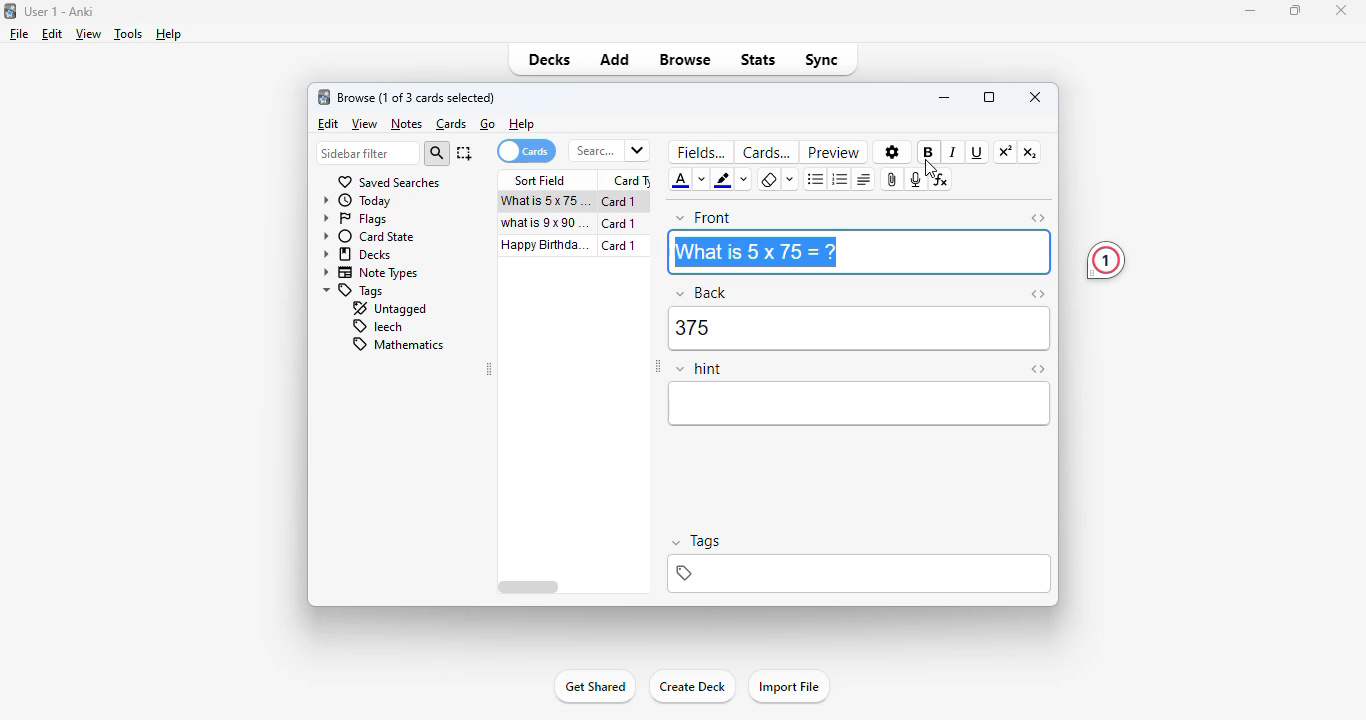  I want to click on record audio, so click(917, 179).